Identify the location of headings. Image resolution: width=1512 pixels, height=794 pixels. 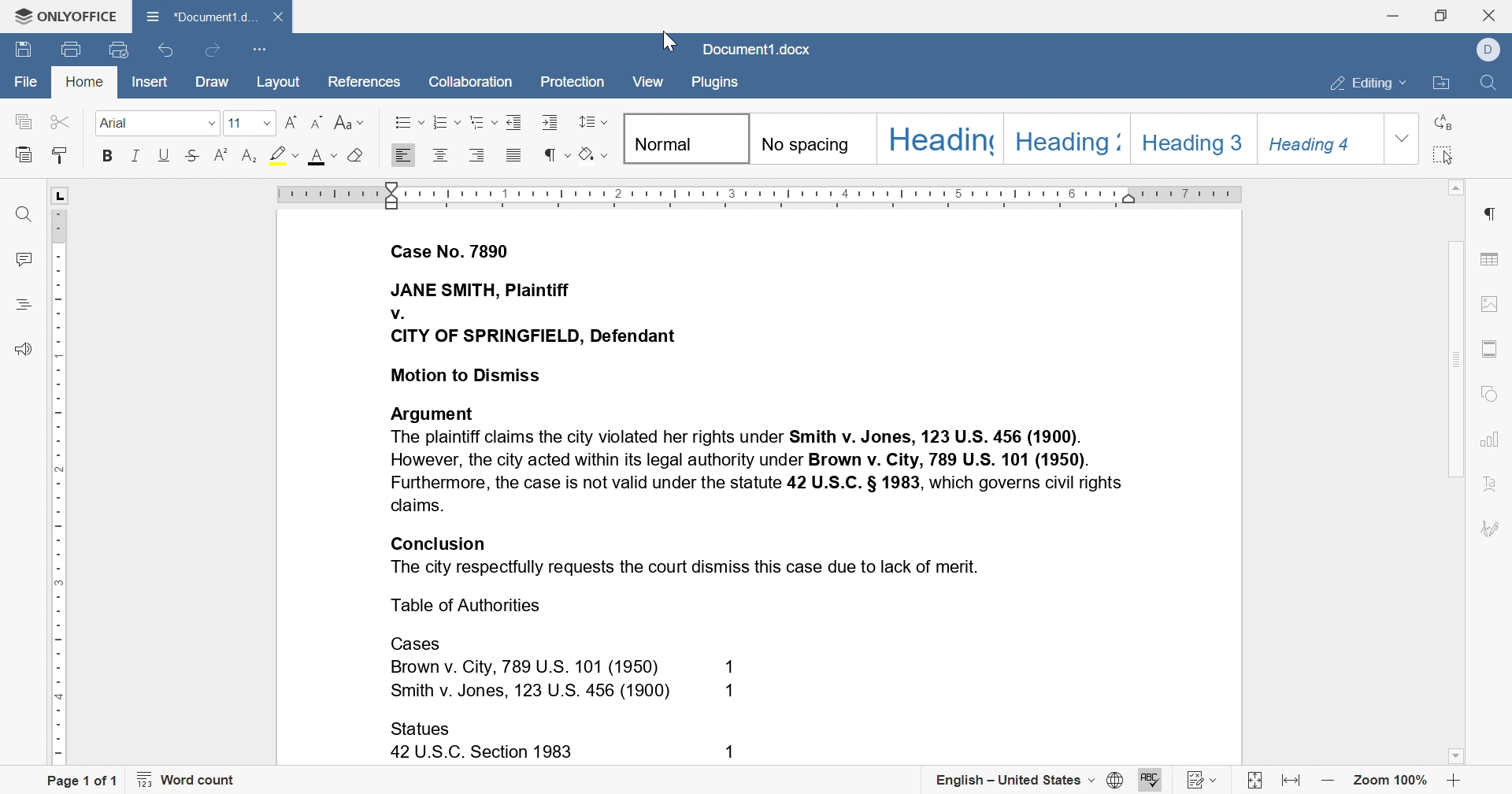
(26, 306).